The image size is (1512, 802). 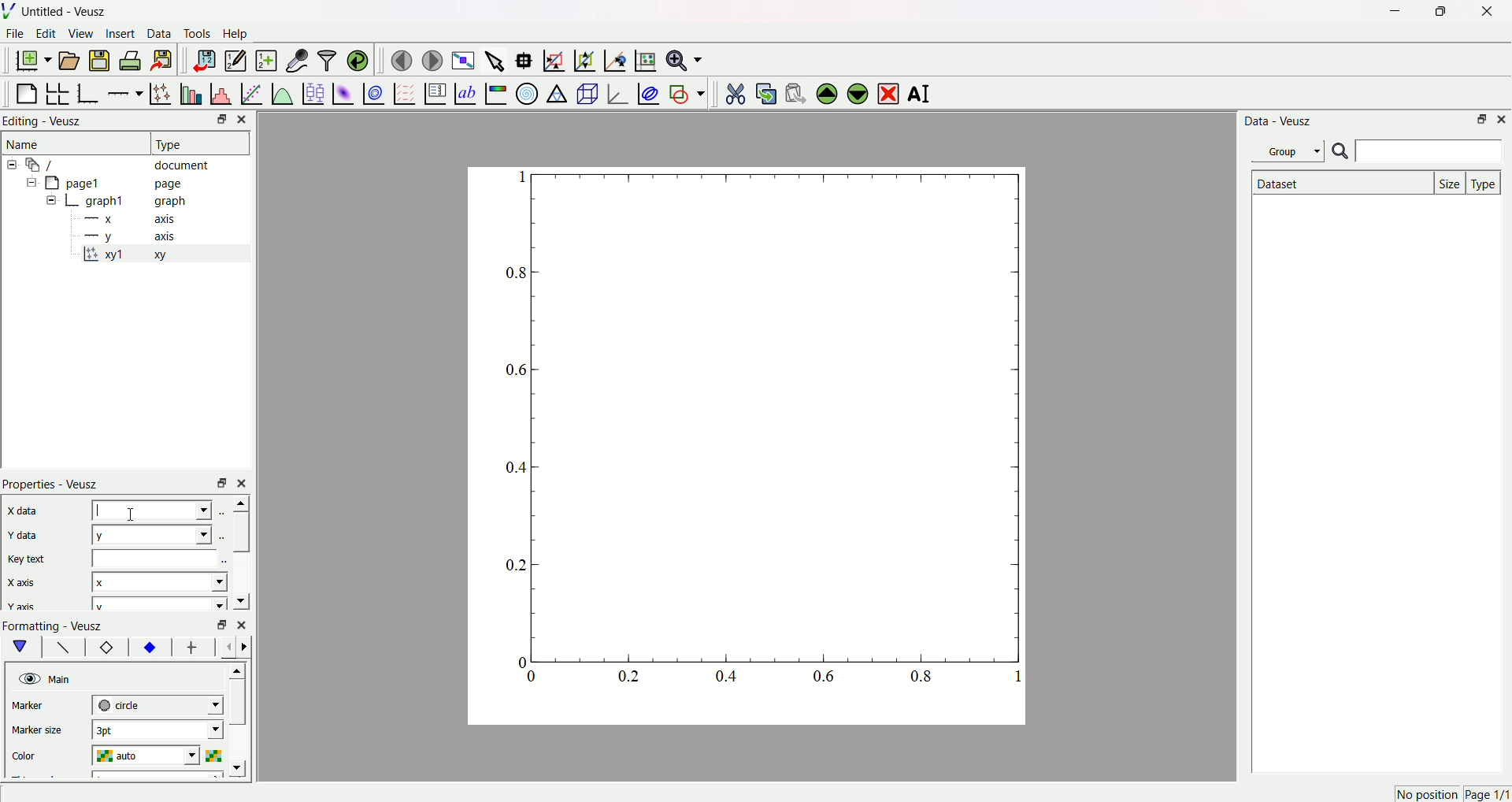 I want to click on page 1/1, so click(x=1487, y=795).